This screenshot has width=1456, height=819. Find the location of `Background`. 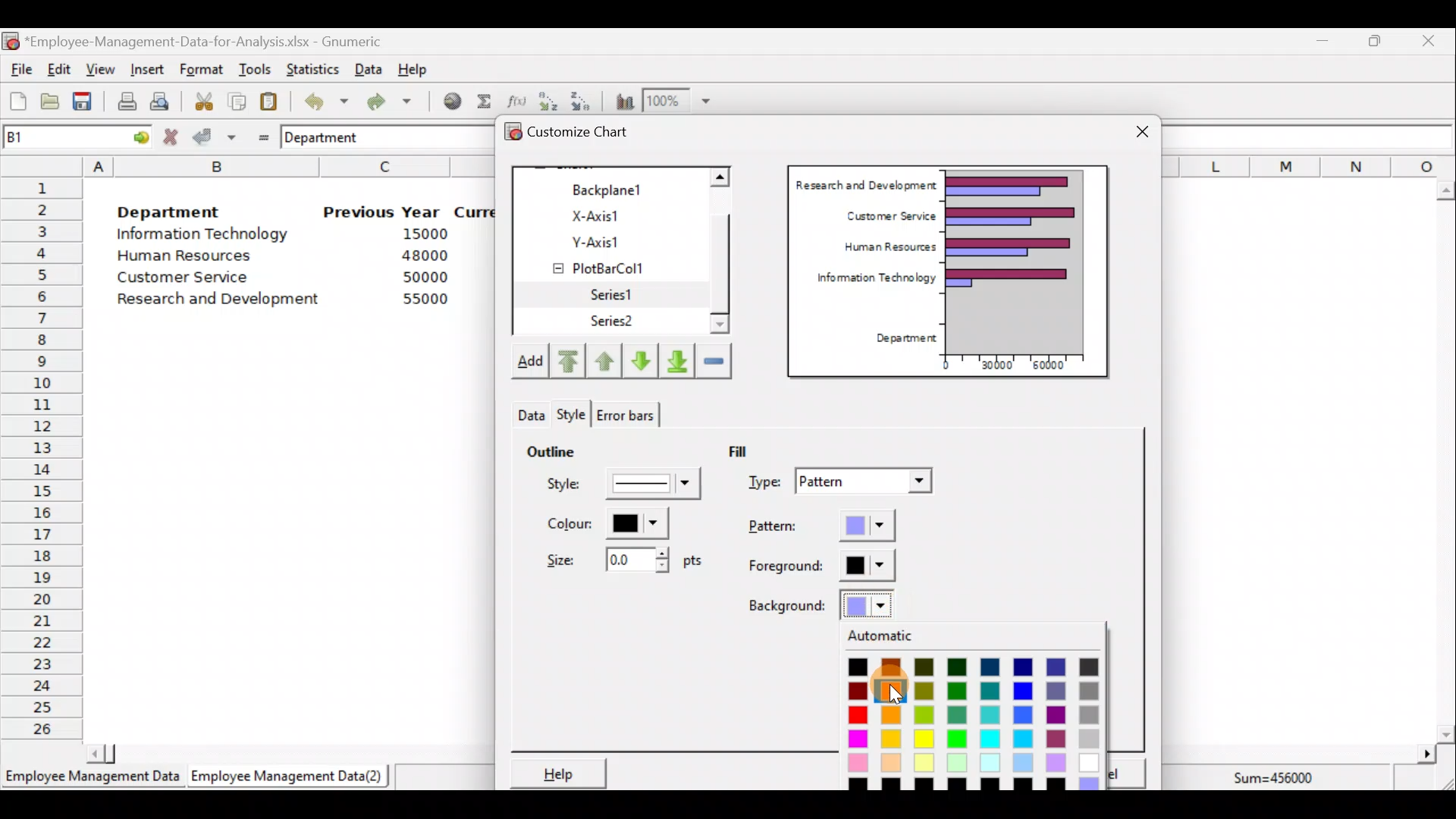

Background is located at coordinates (822, 604).